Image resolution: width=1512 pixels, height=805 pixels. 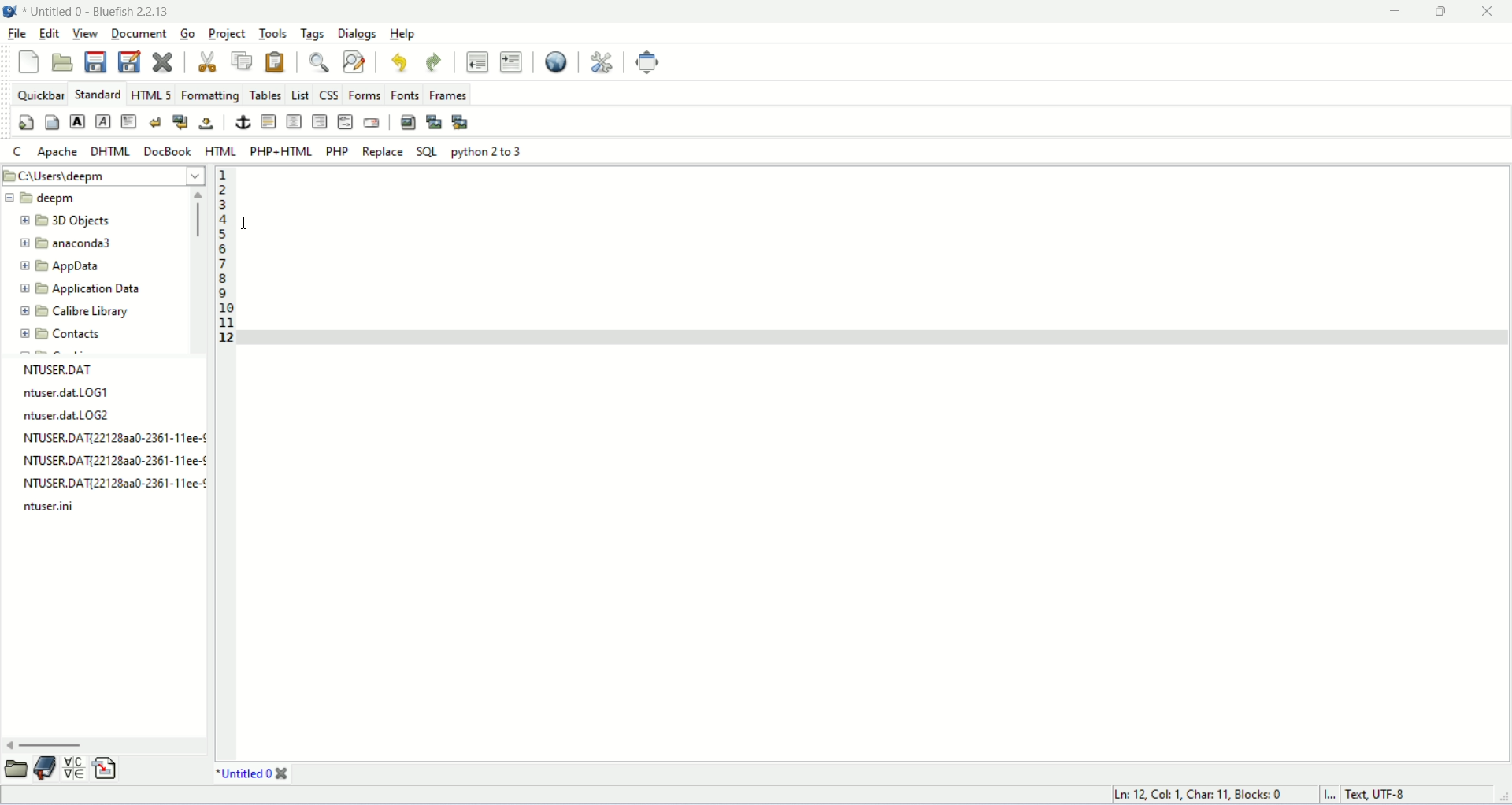 I want to click on center, so click(x=295, y=121).